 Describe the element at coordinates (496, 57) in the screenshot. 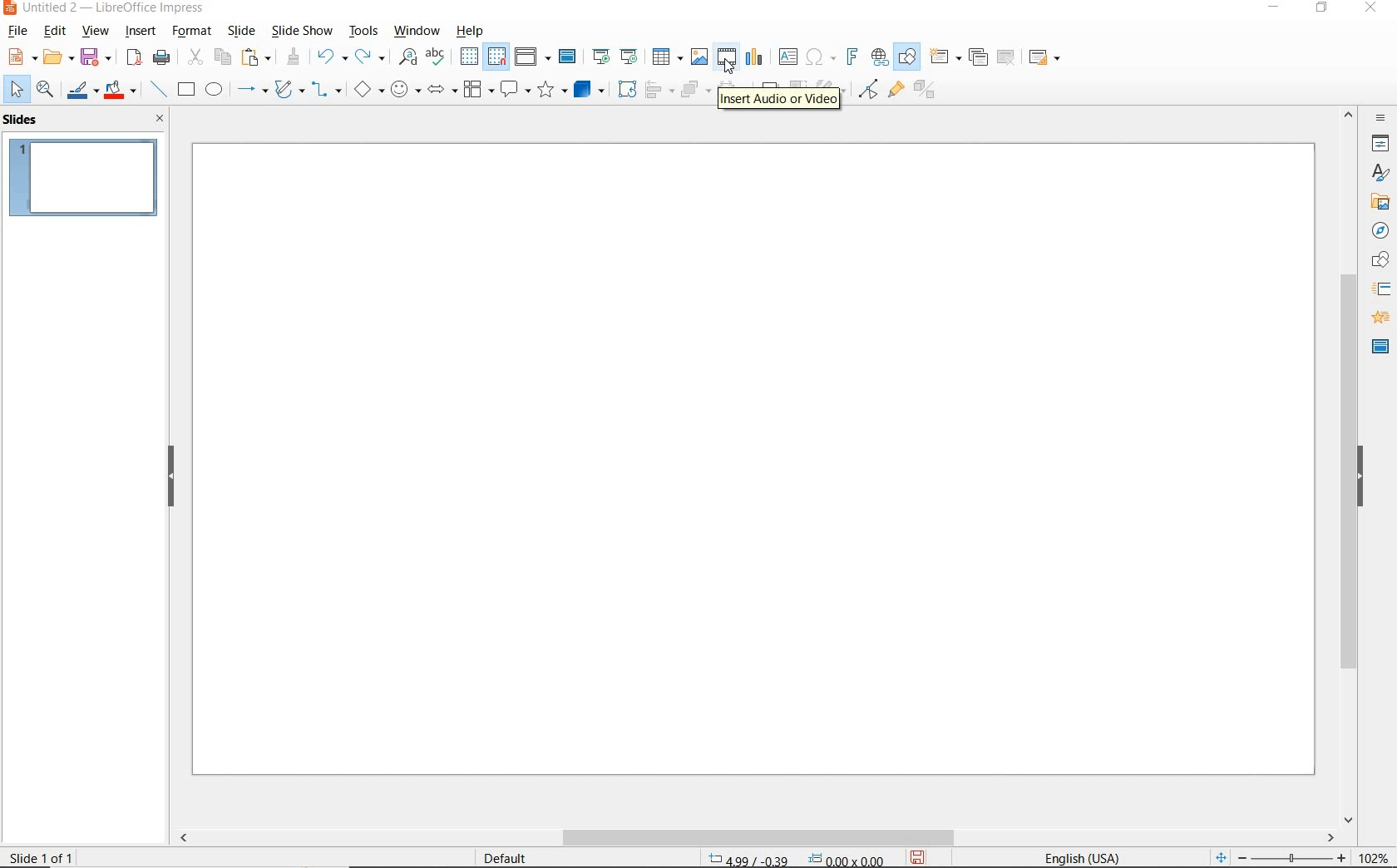

I see `SNAP TO GRID` at that location.